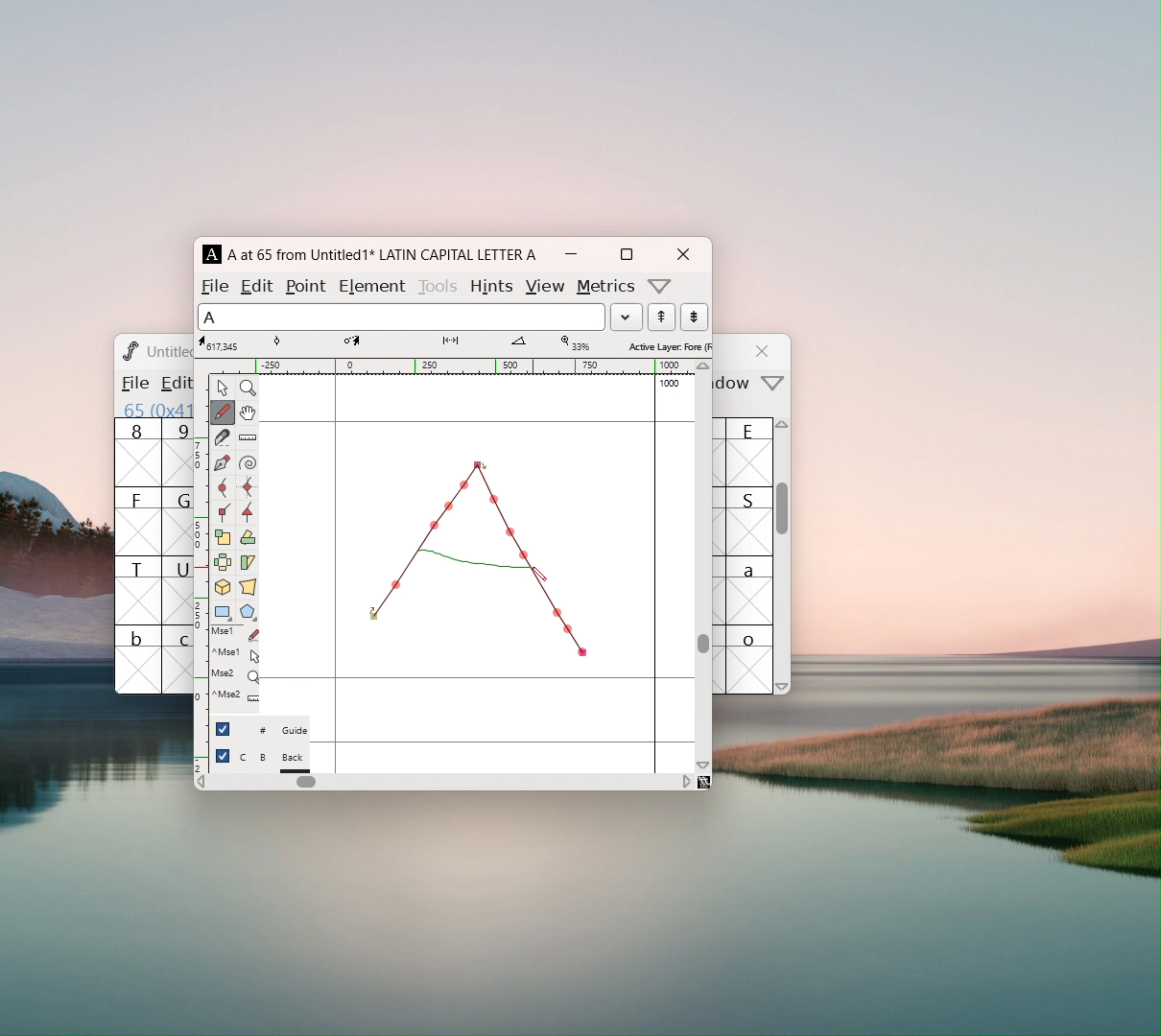 This screenshot has height=1036, width=1161. I want to click on view, so click(544, 287).